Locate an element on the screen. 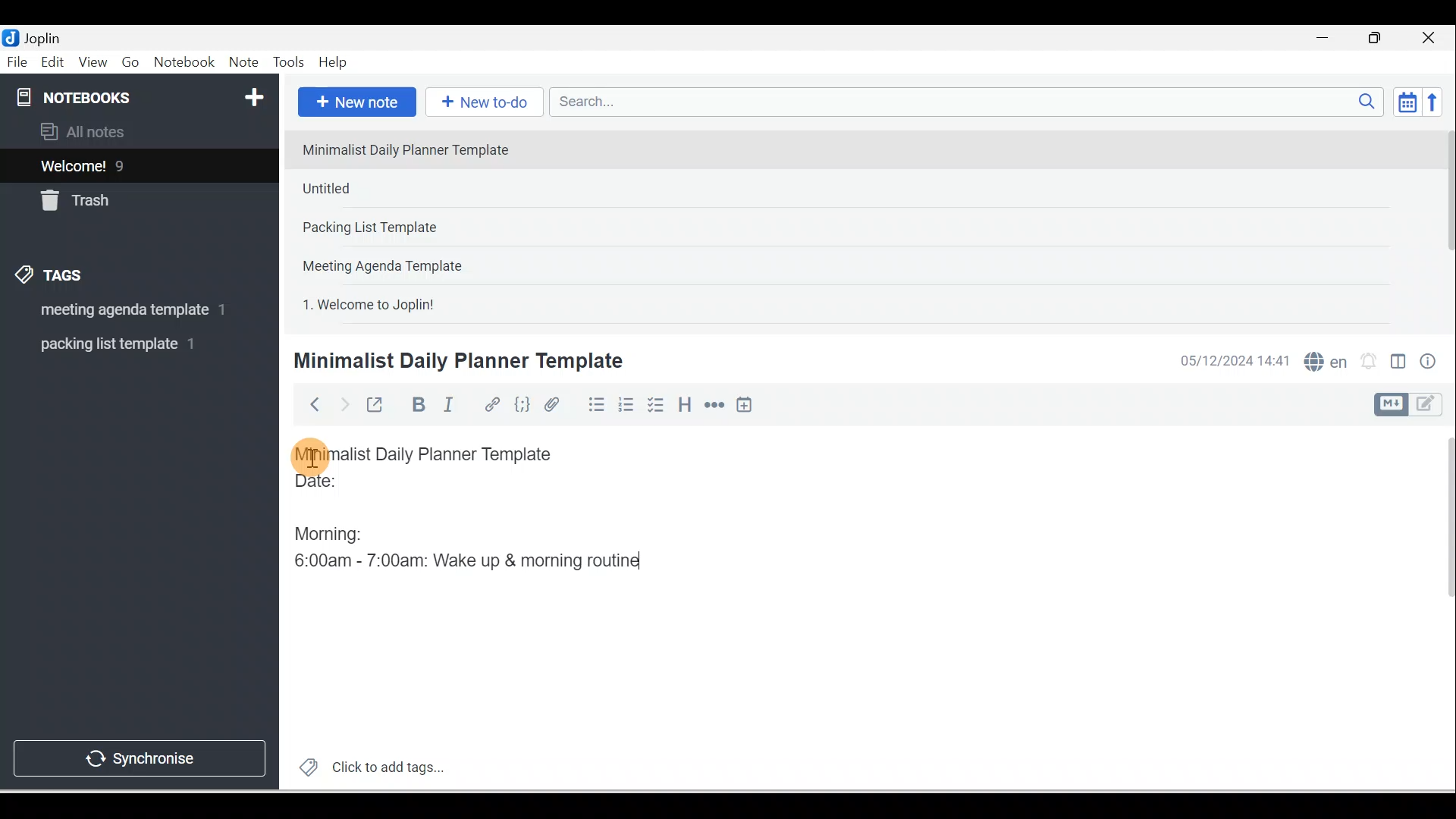 This screenshot has height=819, width=1456. Cursor is located at coordinates (311, 455).